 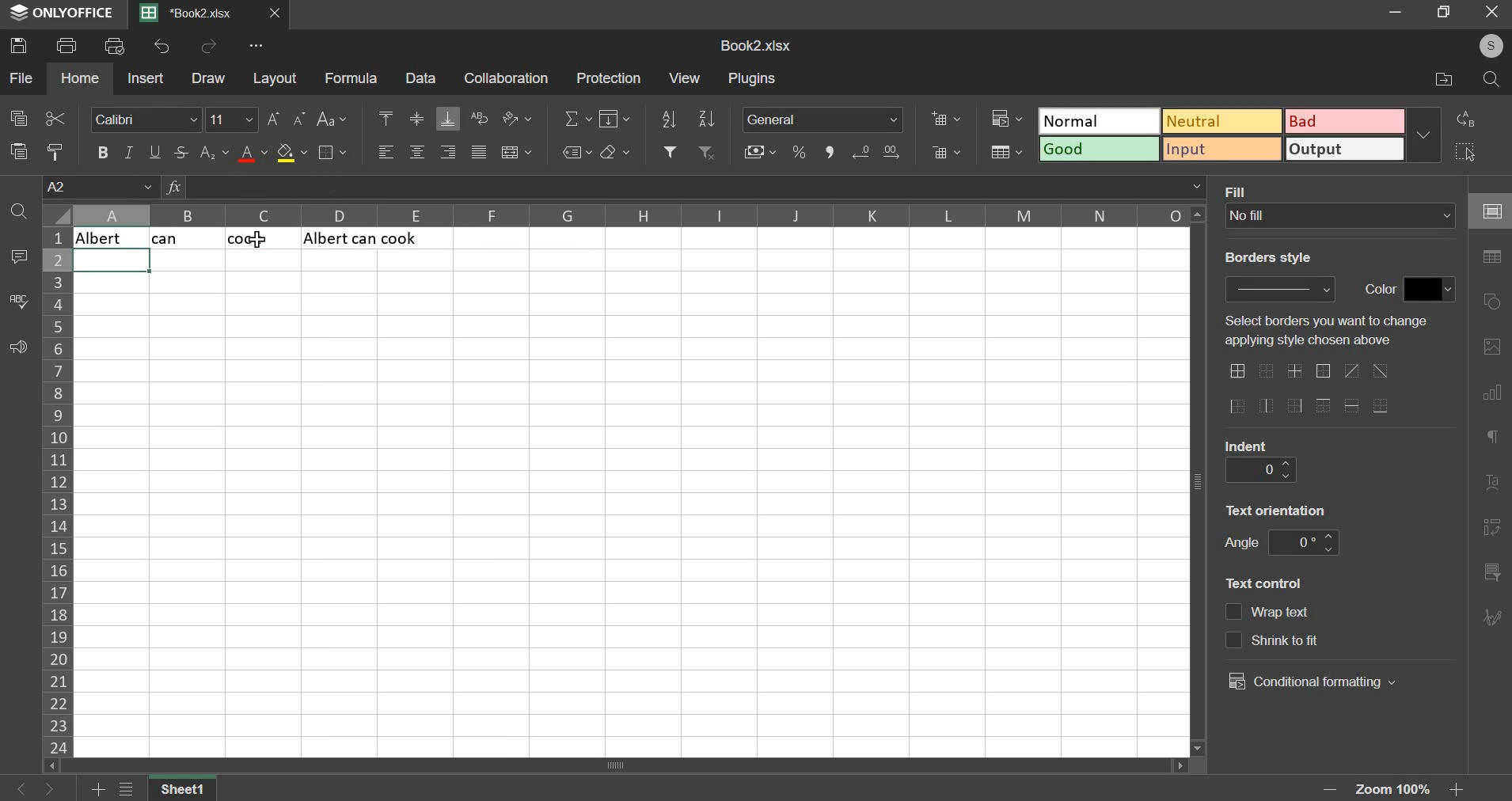 What do you see at coordinates (145, 78) in the screenshot?
I see `insert` at bounding box center [145, 78].